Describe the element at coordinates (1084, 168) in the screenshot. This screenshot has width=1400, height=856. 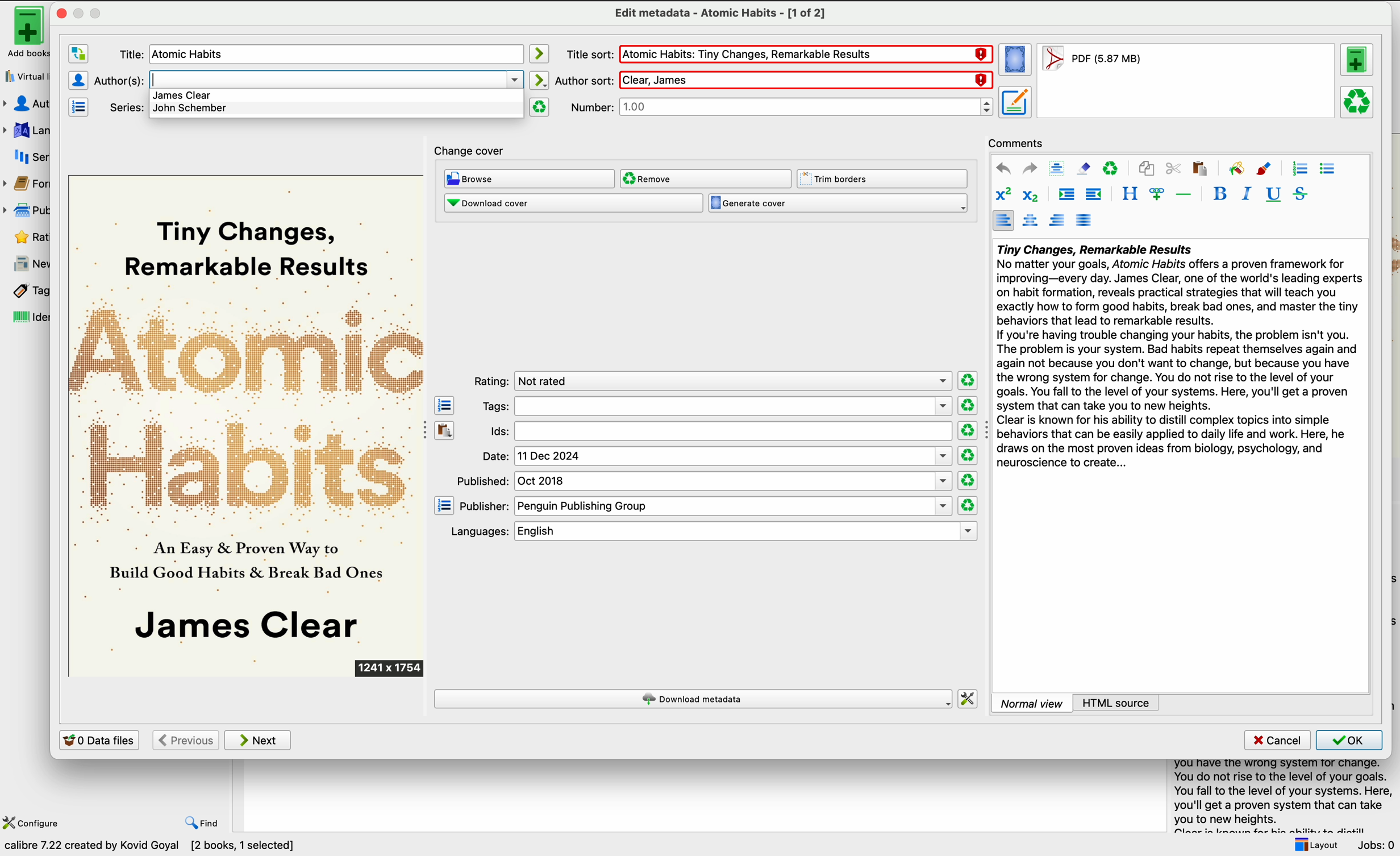
I see `remove formatting` at that location.